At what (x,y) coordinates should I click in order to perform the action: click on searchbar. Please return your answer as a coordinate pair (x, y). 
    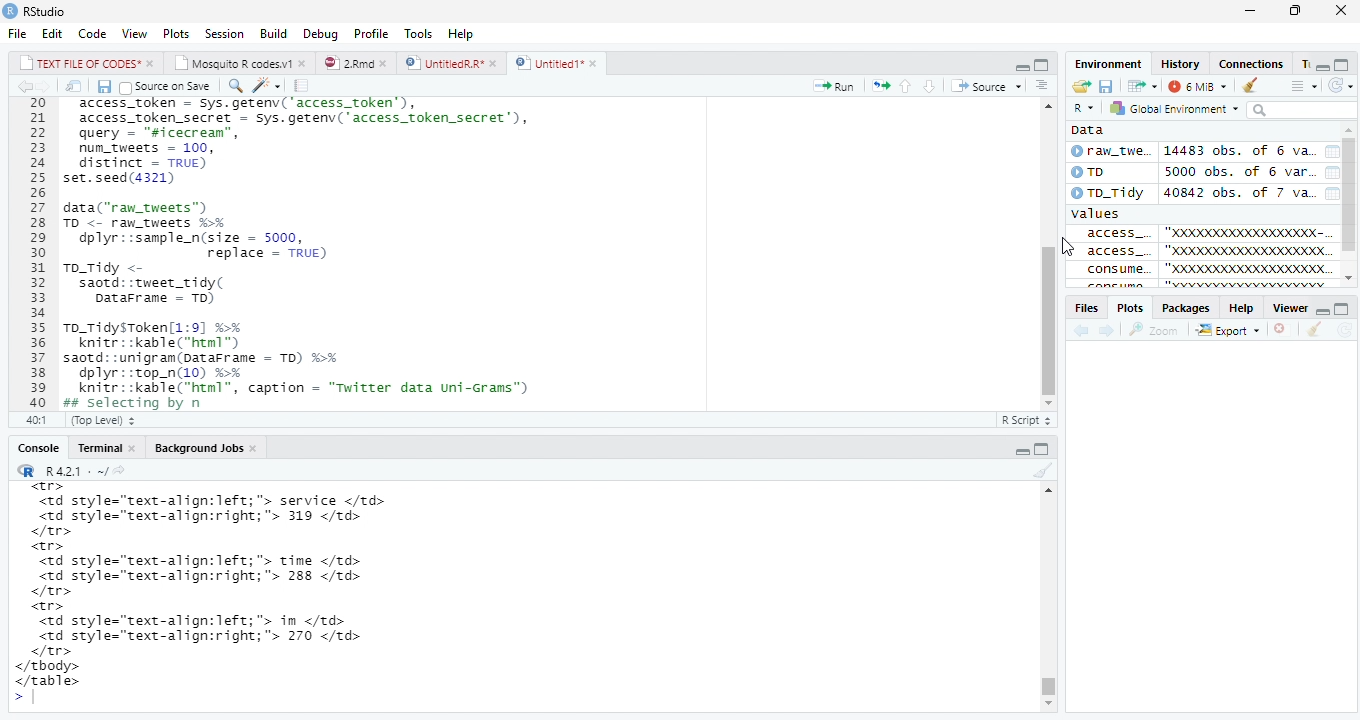
    Looking at the image, I should click on (1306, 111).